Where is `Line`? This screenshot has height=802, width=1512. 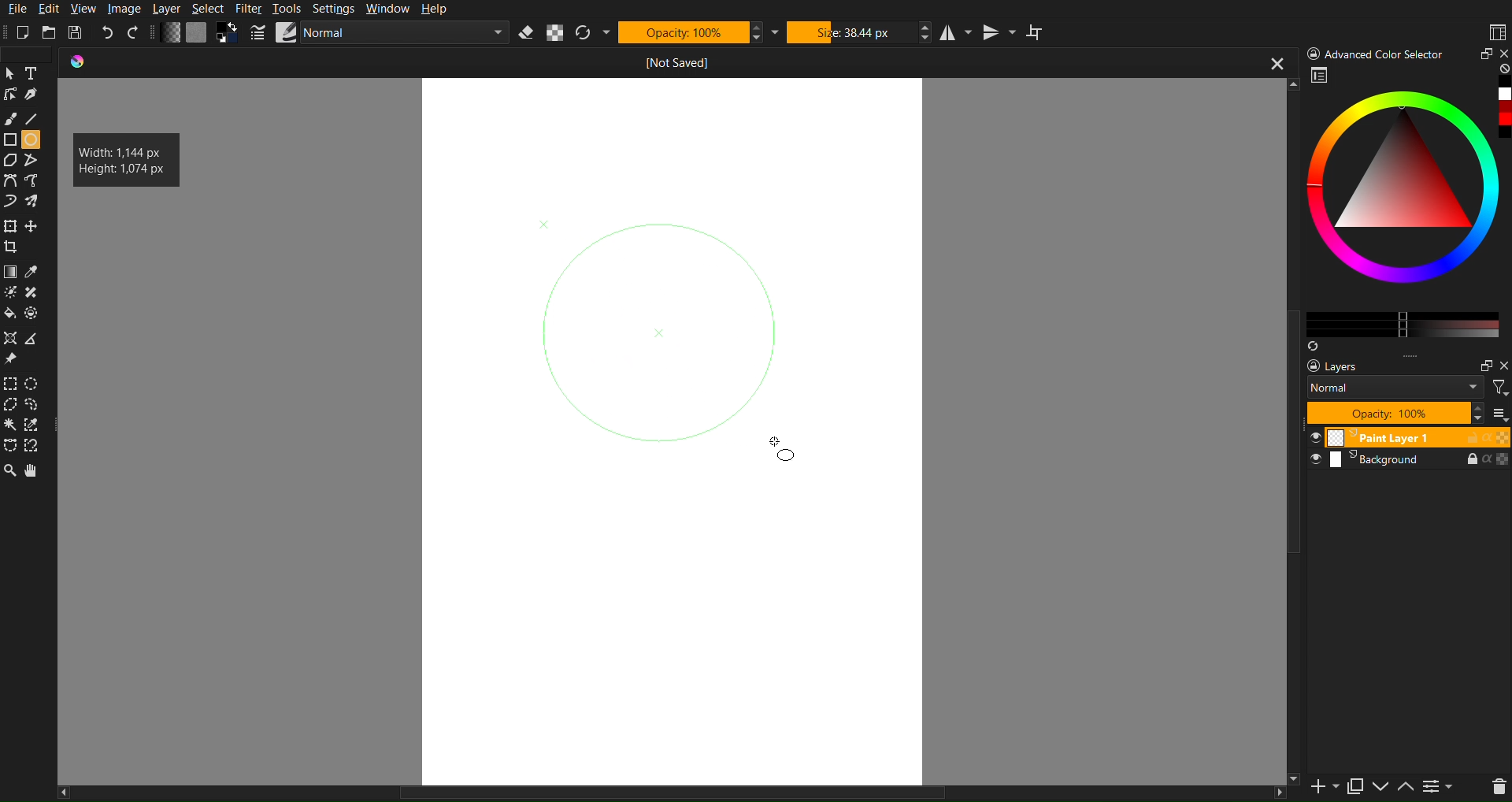
Line is located at coordinates (39, 121).